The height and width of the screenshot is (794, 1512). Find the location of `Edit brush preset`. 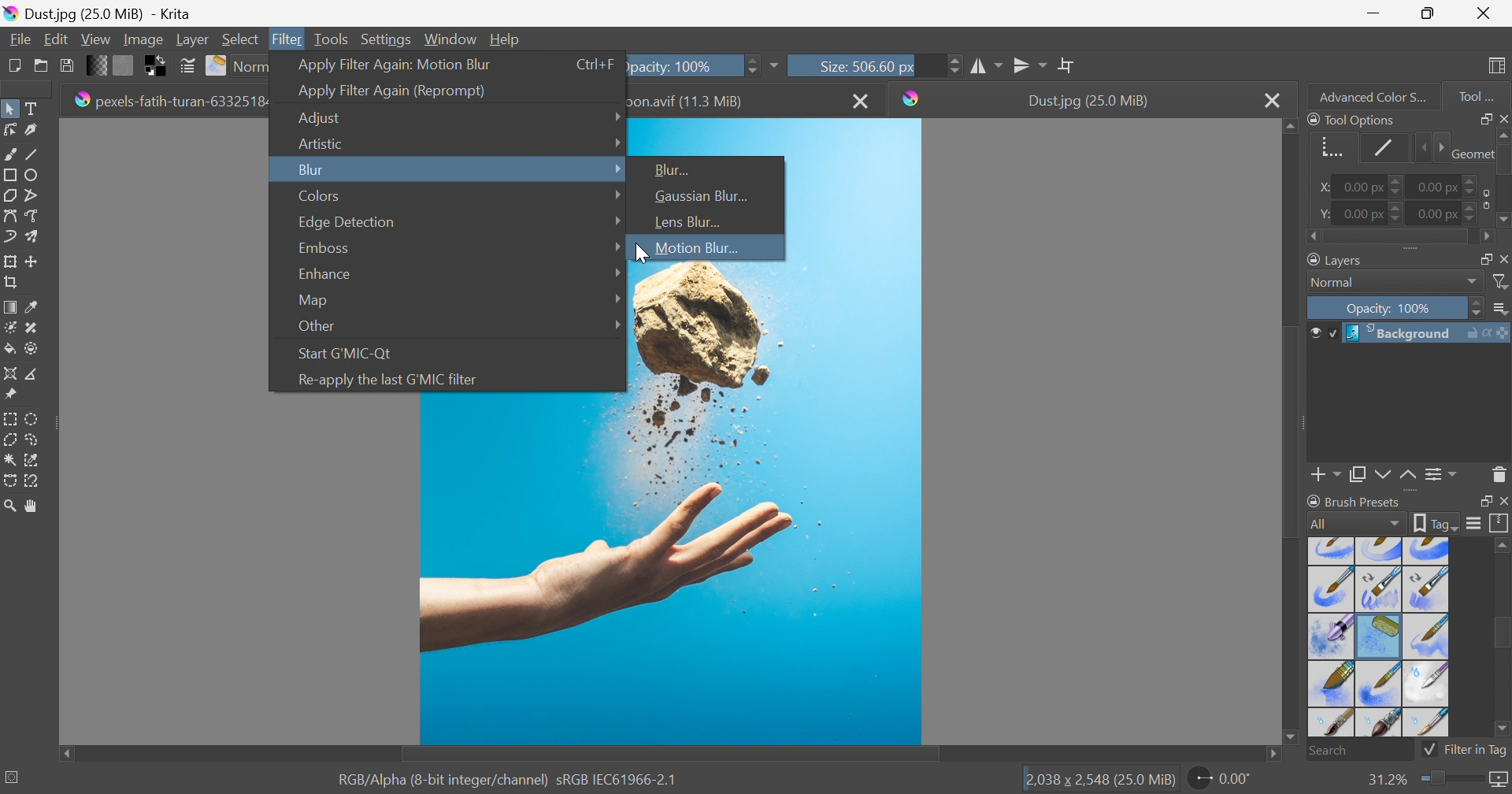

Edit brush preset is located at coordinates (187, 66).